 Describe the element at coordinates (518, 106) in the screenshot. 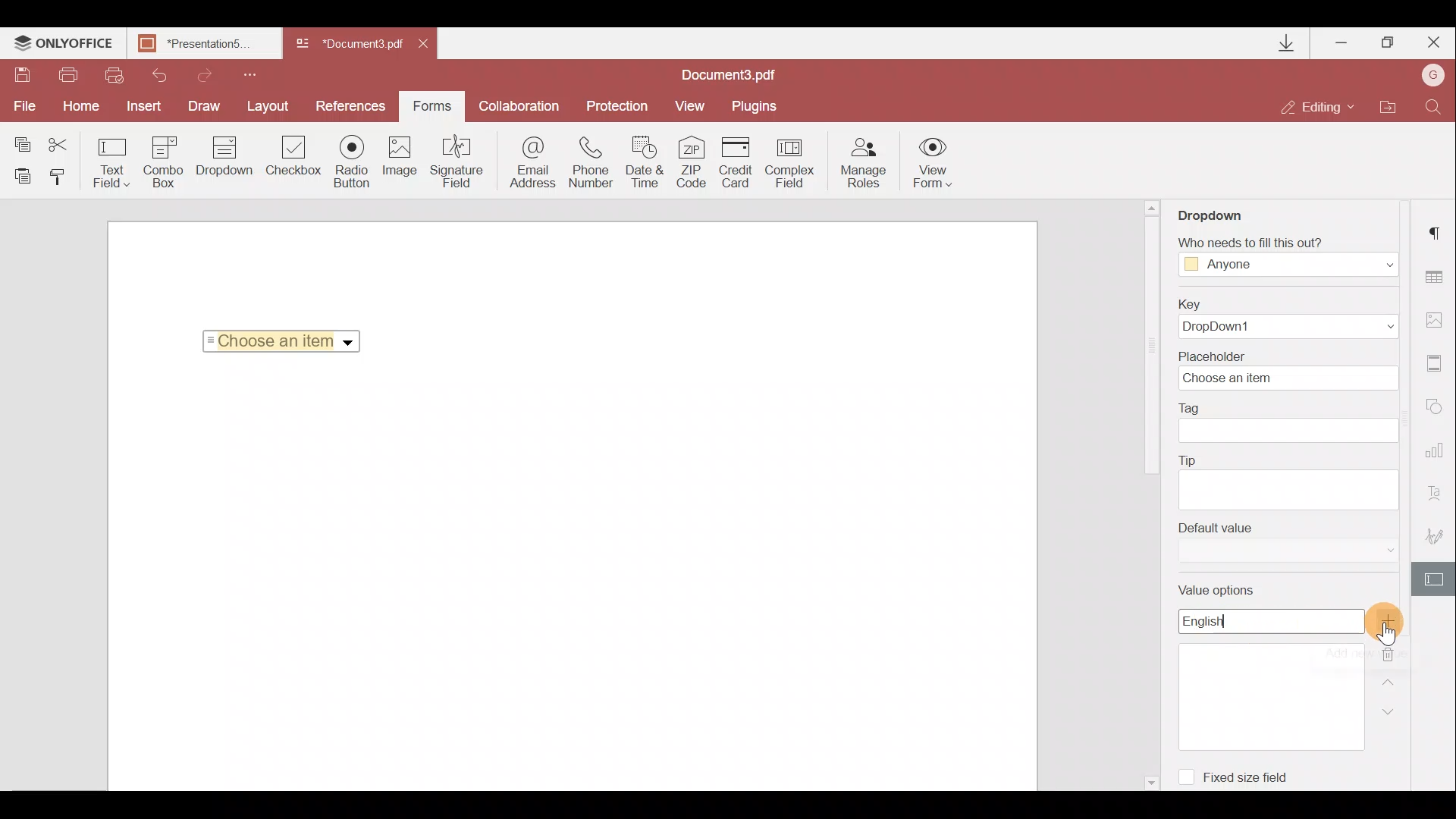

I see `Collaboration` at that location.